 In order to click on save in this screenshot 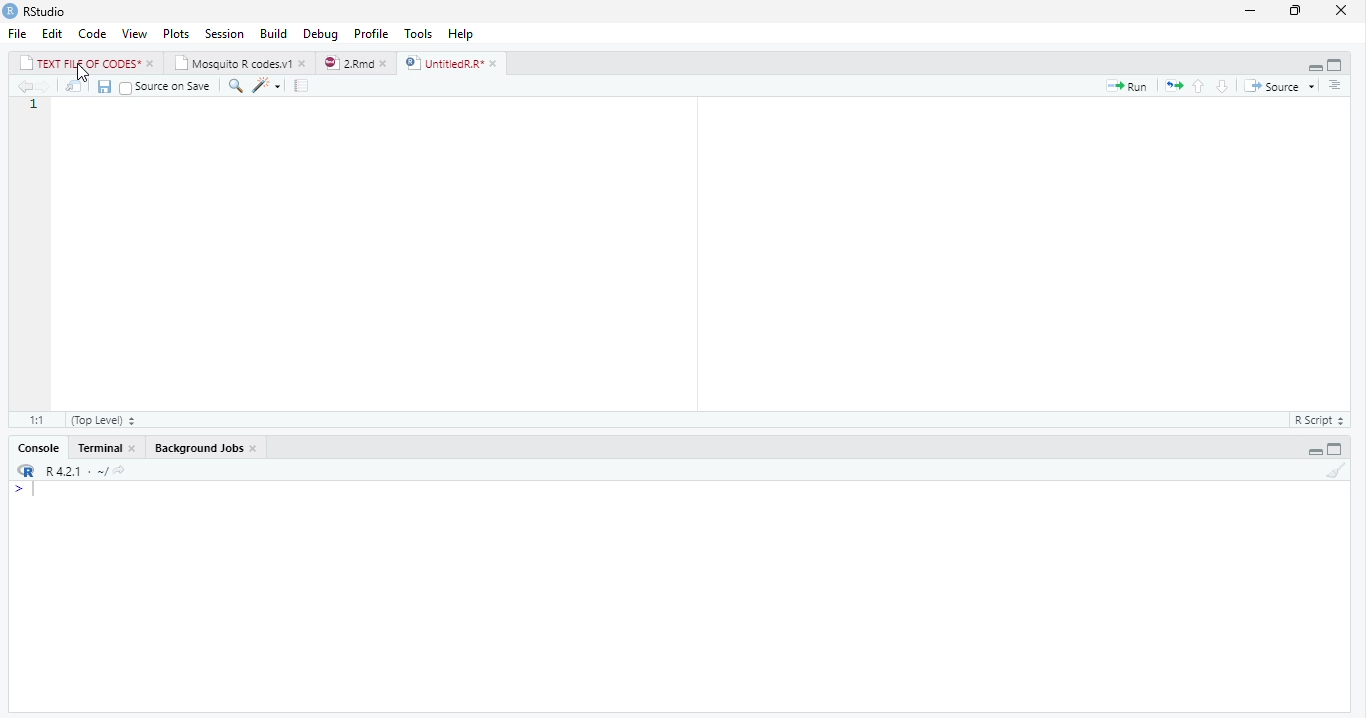, I will do `click(106, 87)`.